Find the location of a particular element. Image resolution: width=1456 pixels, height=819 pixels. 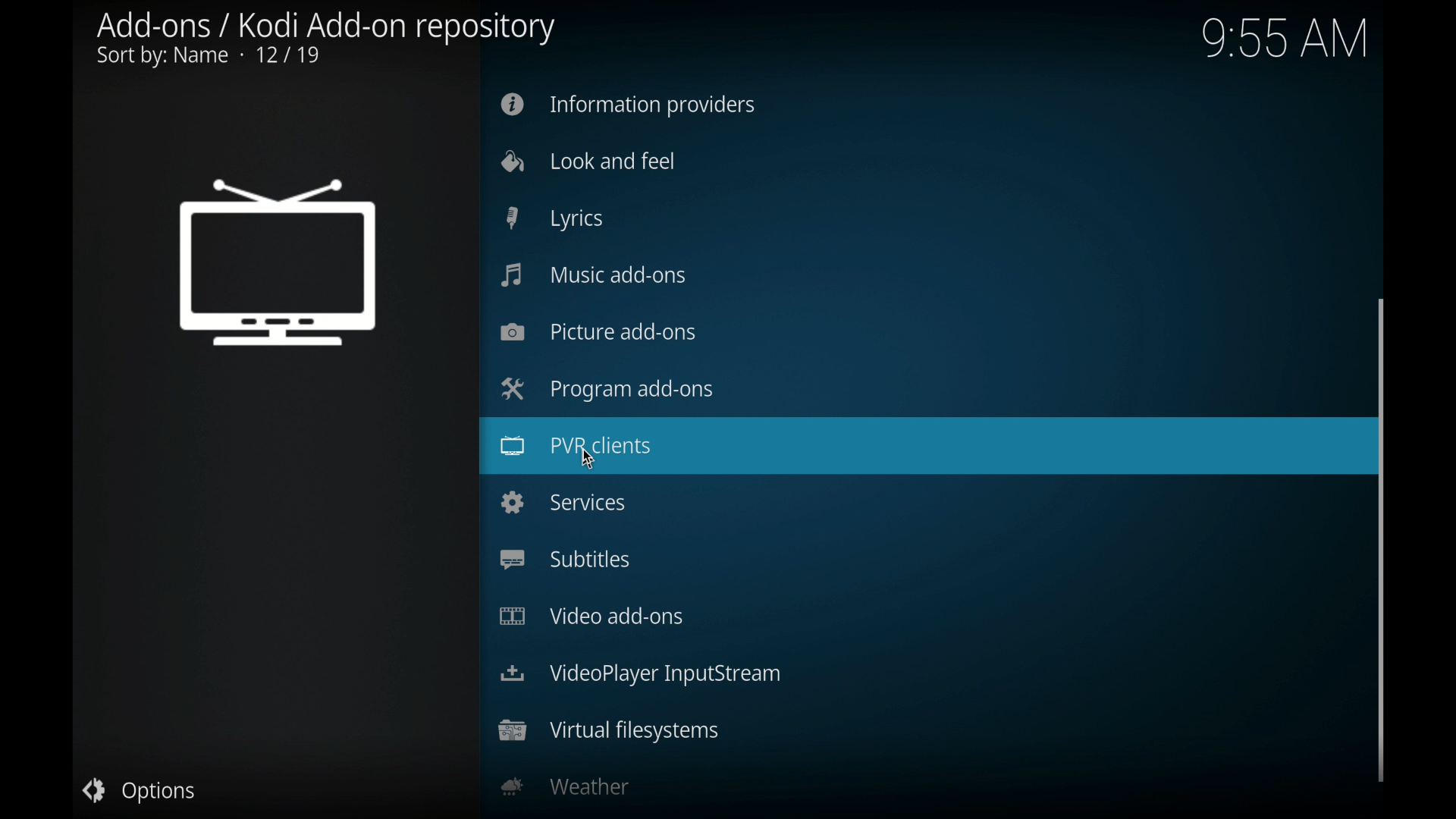

lyrics is located at coordinates (554, 218).